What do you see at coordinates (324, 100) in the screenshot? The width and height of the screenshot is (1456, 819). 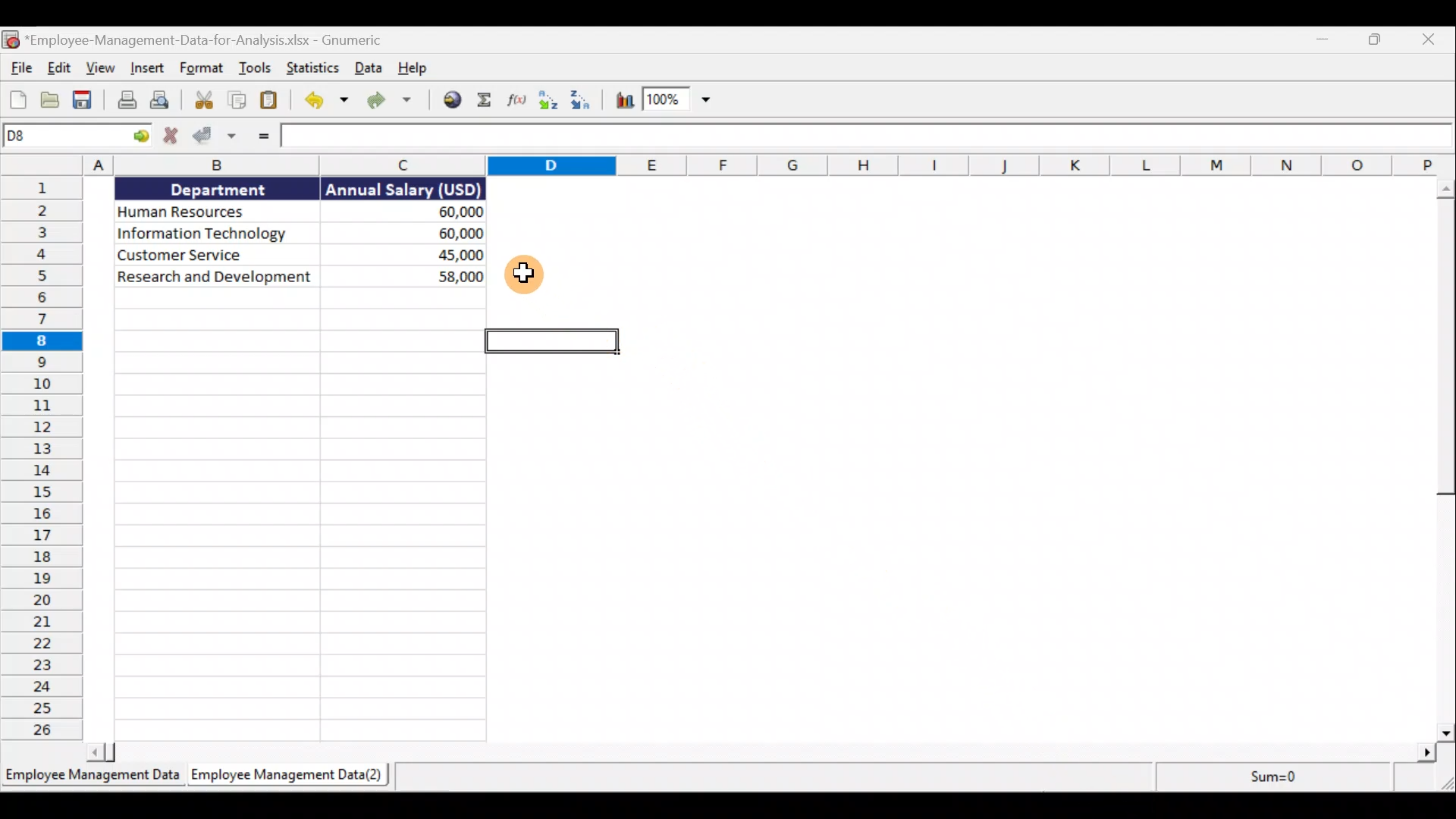 I see `Undo the last action` at bounding box center [324, 100].